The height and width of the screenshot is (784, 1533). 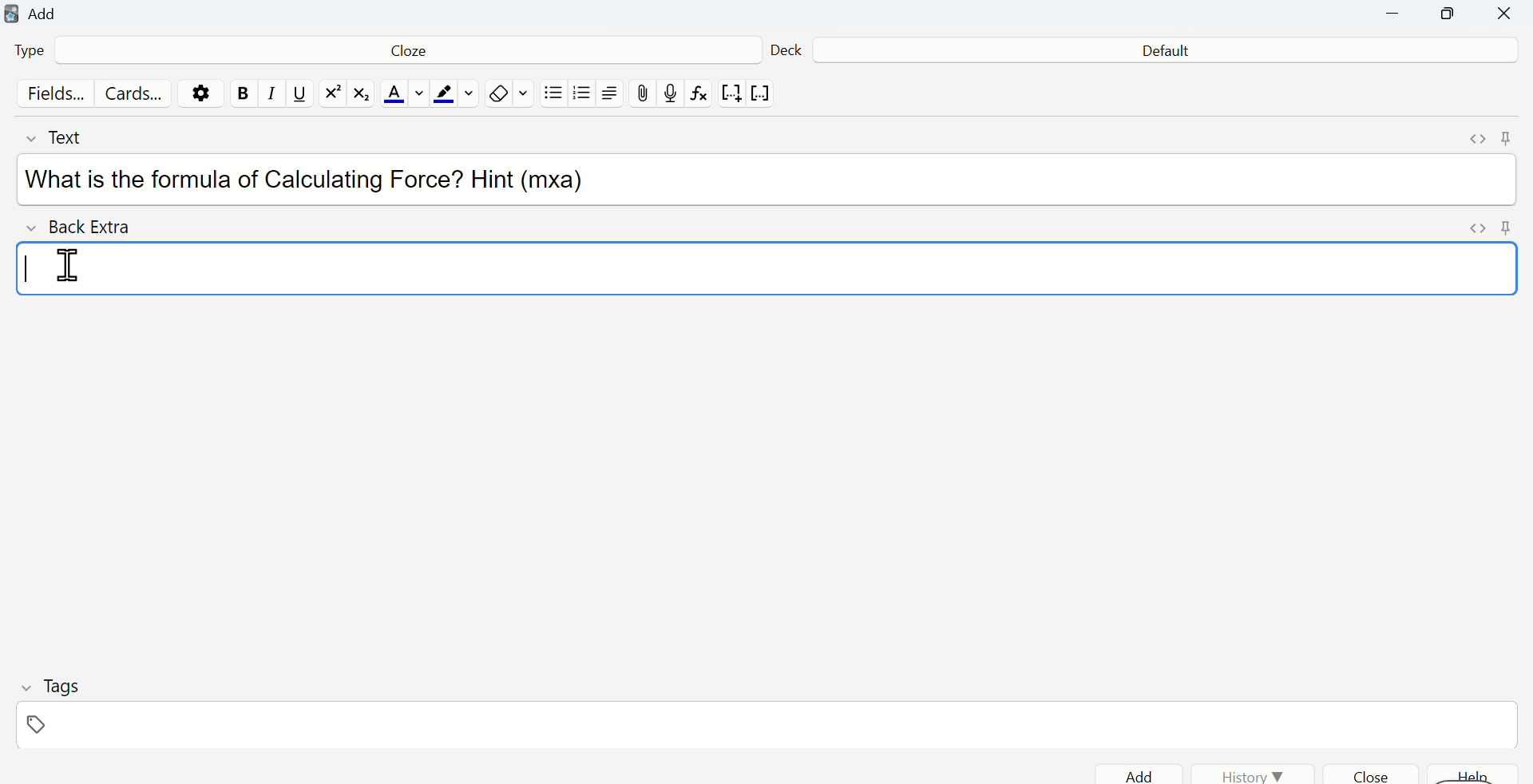 I want to click on Fields, so click(x=52, y=95).